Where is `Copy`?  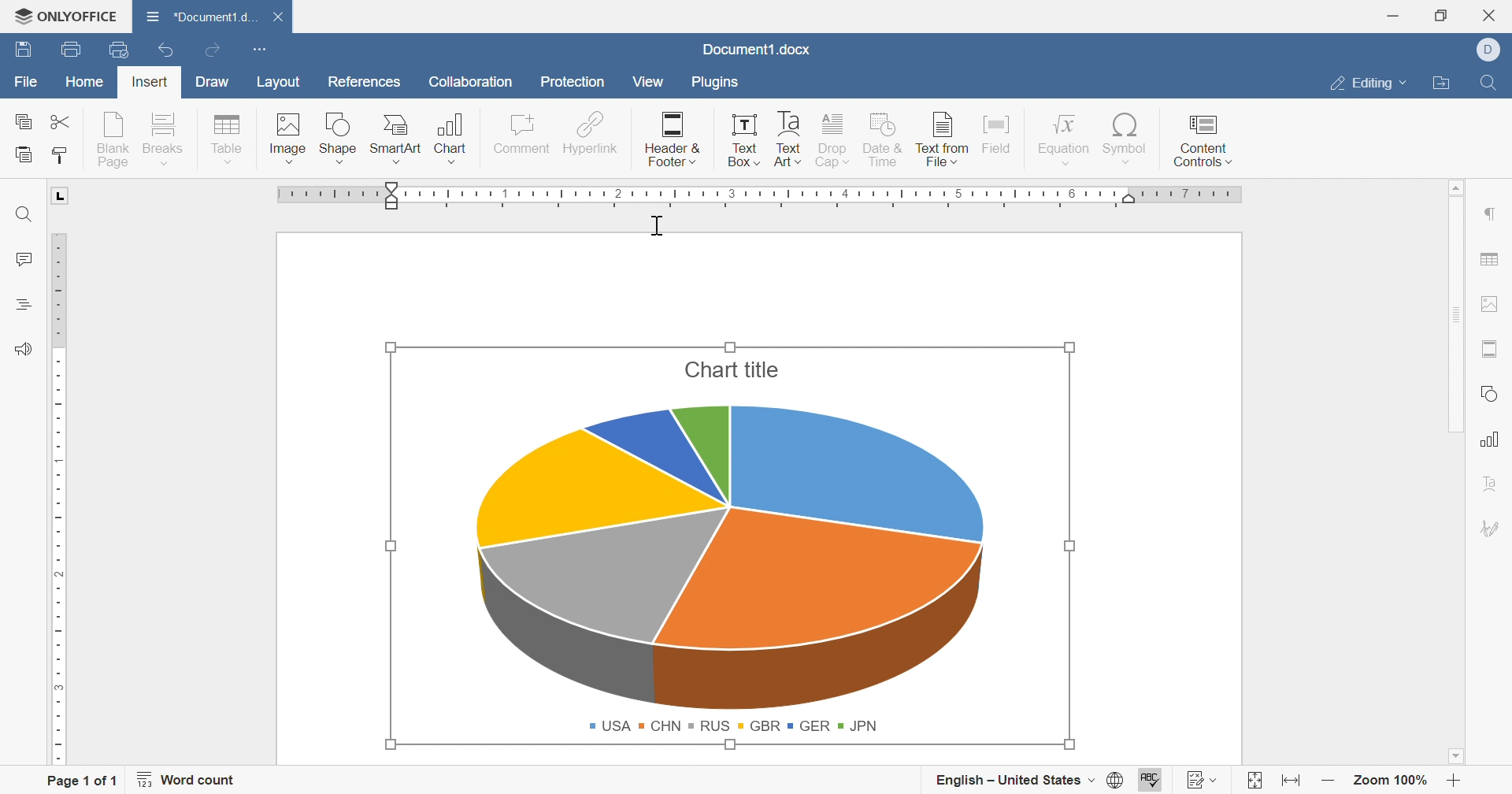
Copy is located at coordinates (22, 121).